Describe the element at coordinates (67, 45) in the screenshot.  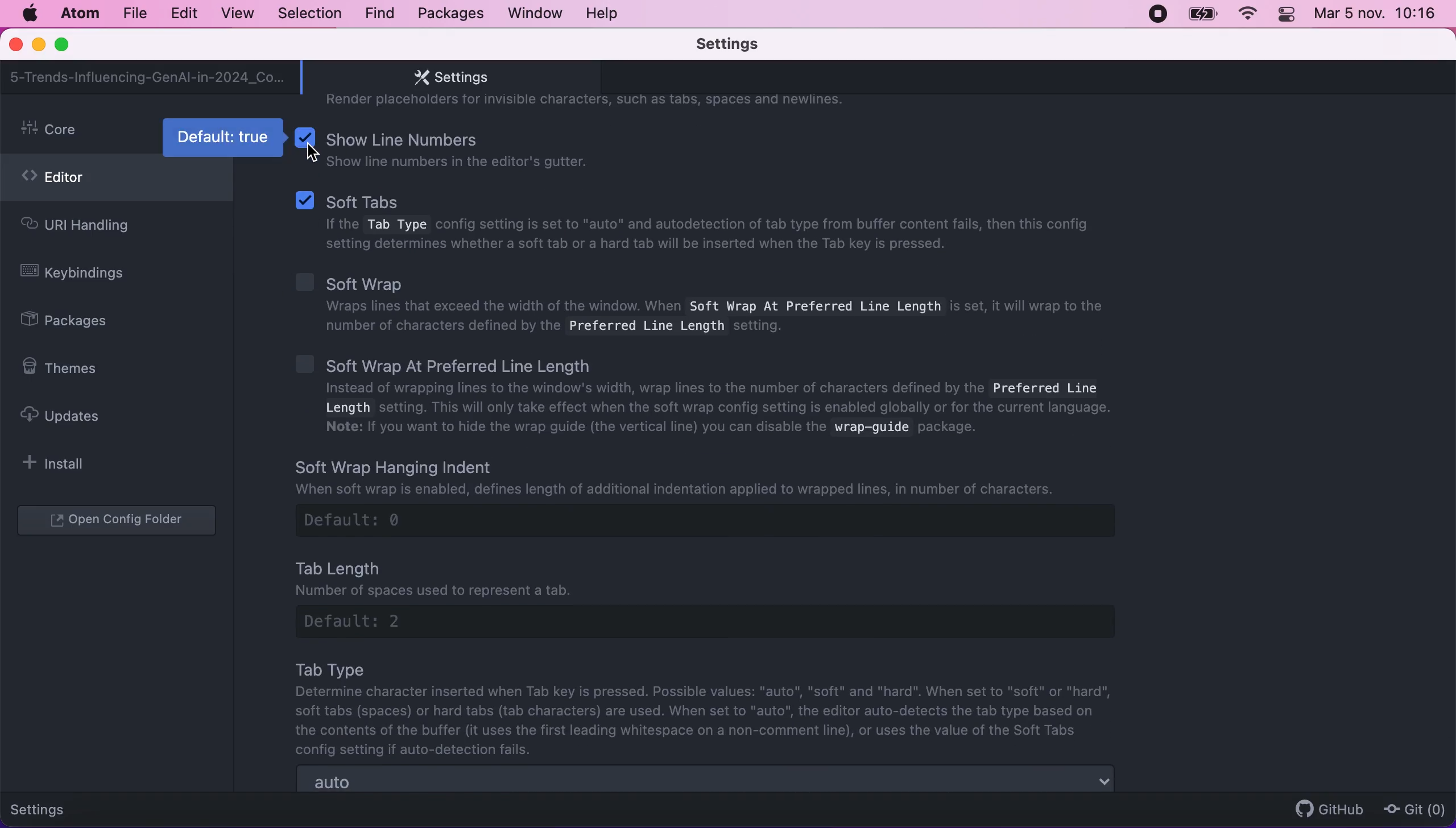
I see `maximize` at that location.